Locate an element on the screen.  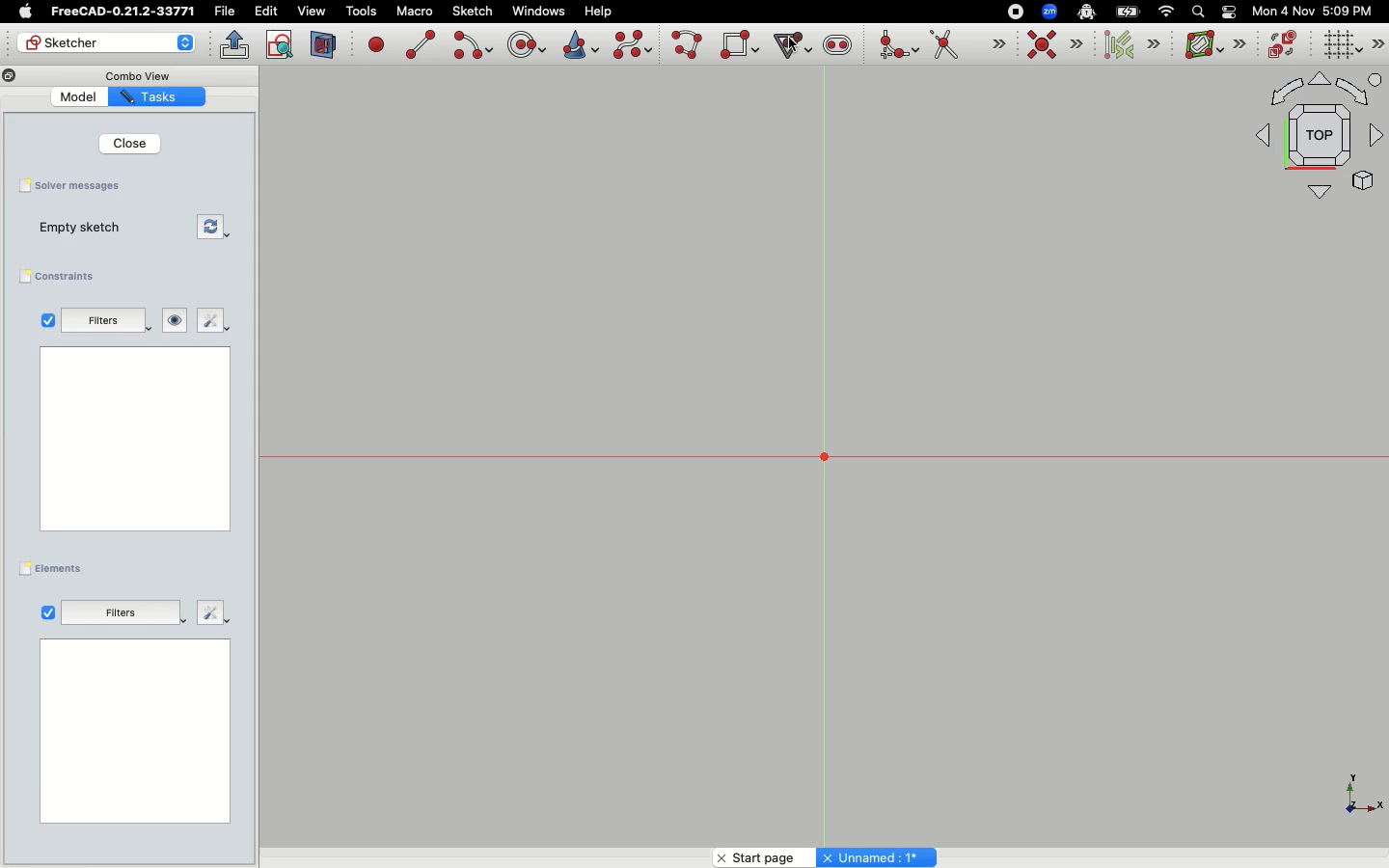
Blank page is located at coordinates (133, 440).